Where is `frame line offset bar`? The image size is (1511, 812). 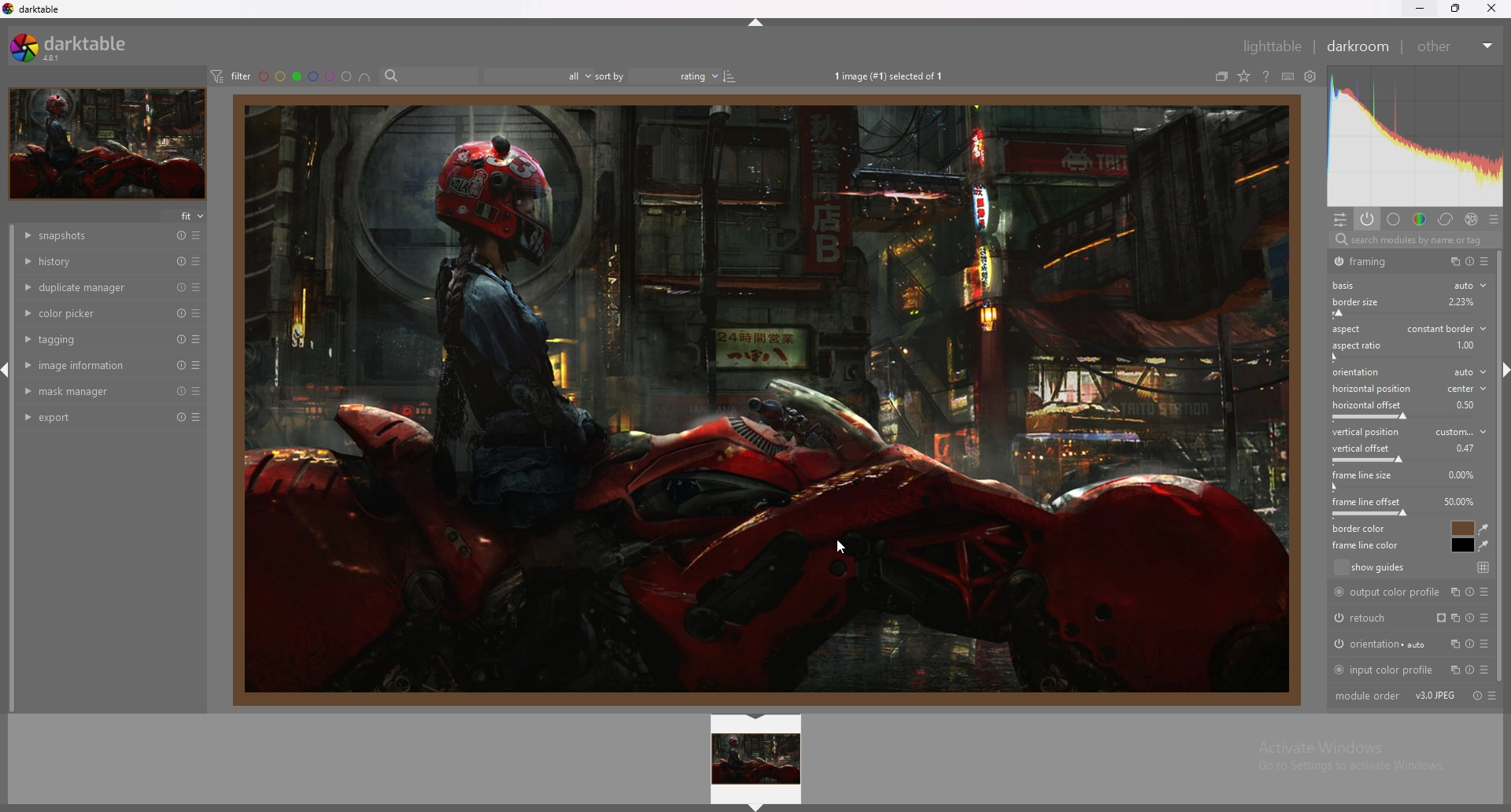
frame line offset bar is located at coordinates (1405, 515).